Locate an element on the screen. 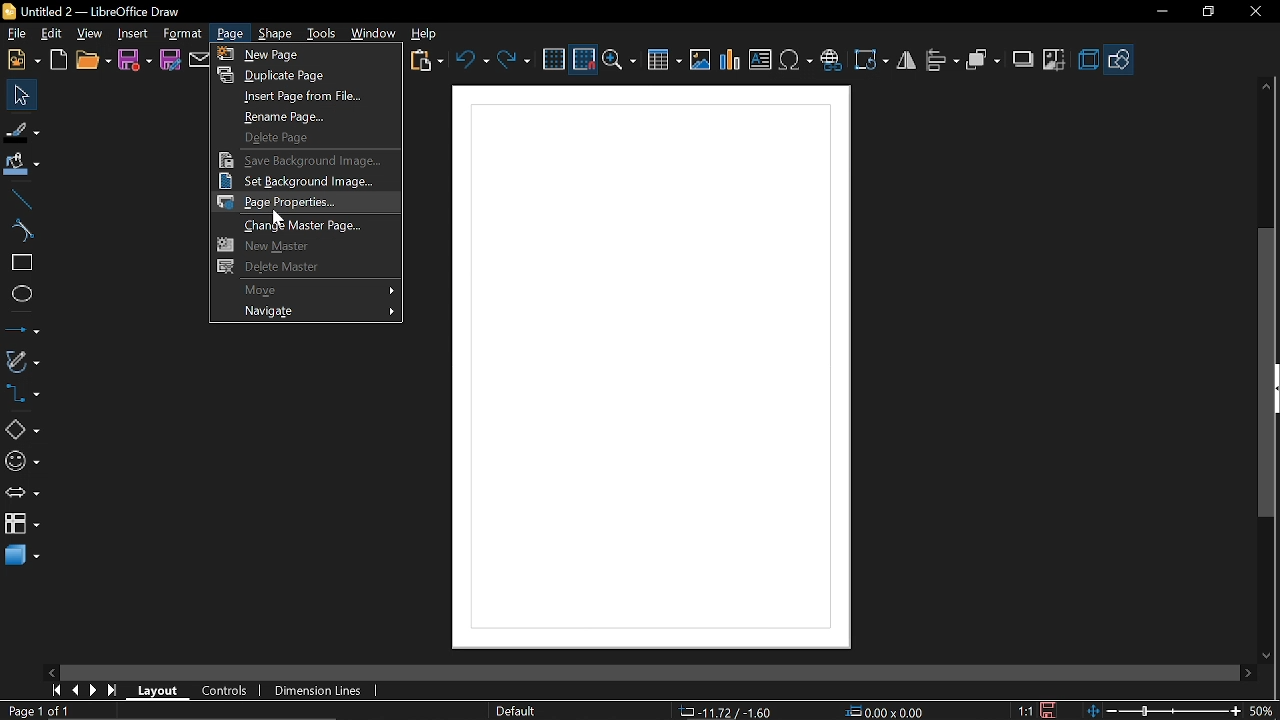 Image resolution: width=1280 pixels, height=720 pixels. Insert is located at coordinates (134, 34).